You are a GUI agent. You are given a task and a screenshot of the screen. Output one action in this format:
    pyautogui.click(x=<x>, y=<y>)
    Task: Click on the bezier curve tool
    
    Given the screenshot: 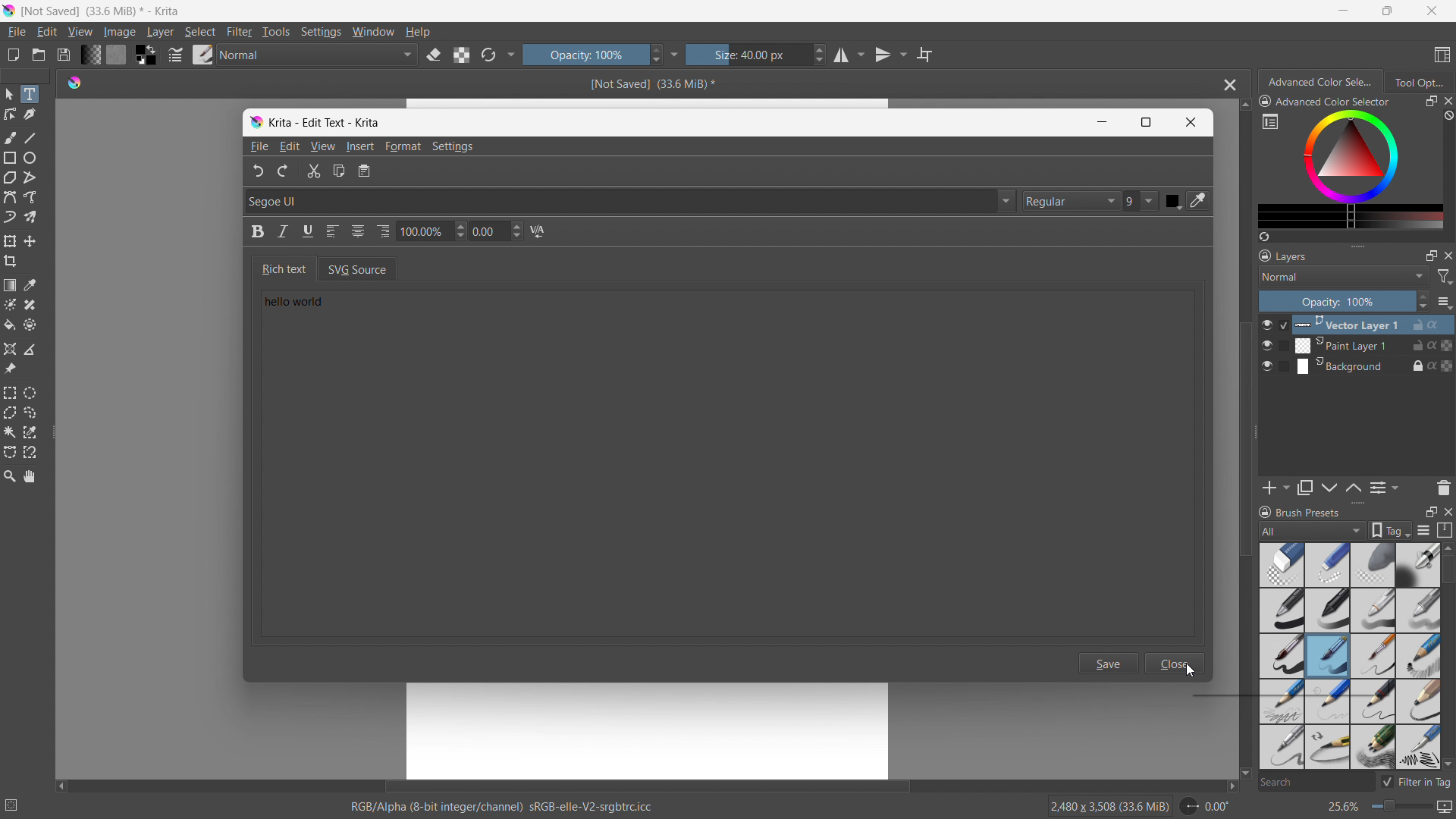 What is the action you would take?
    pyautogui.click(x=10, y=197)
    